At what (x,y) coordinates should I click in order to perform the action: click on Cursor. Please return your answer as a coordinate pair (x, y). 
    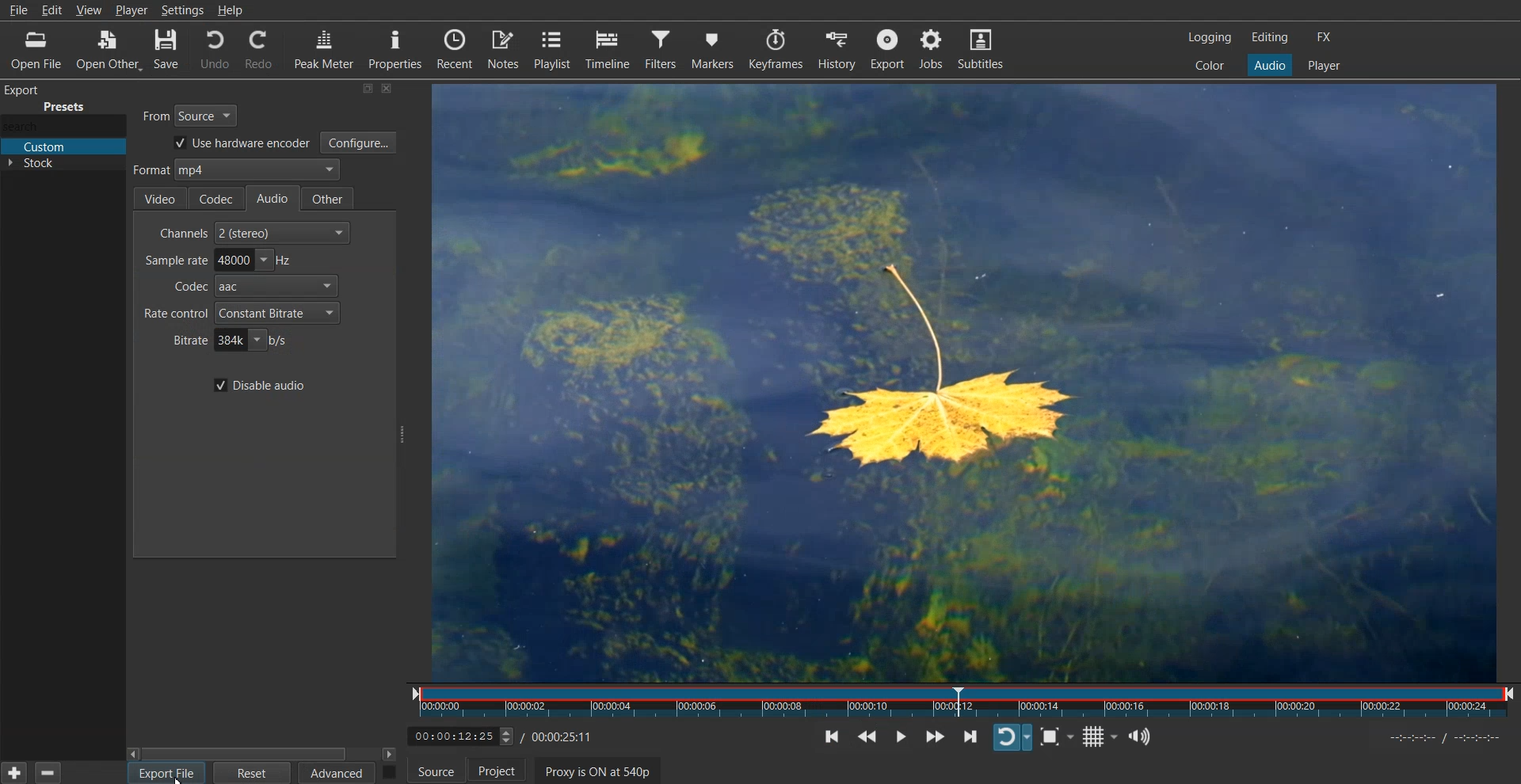
    Looking at the image, I should click on (181, 778).